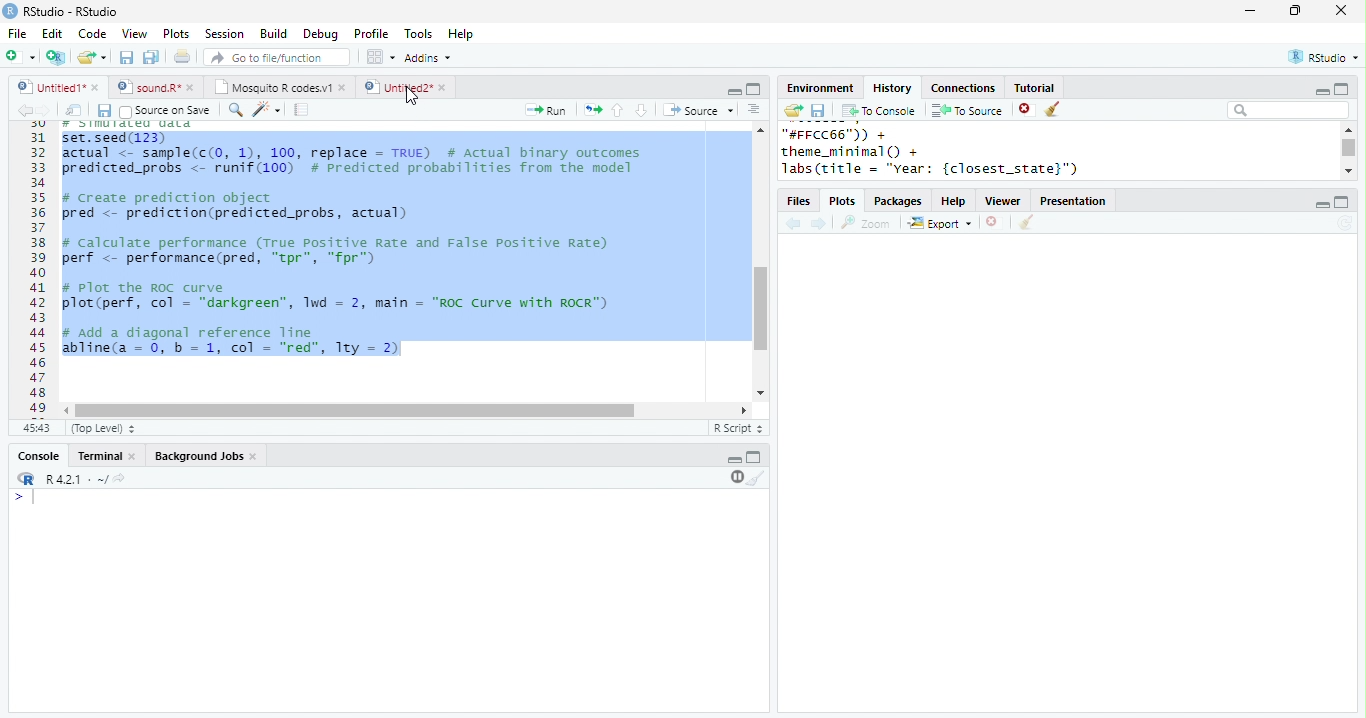 The width and height of the screenshot is (1366, 718). I want to click on close file, so click(1027, 110).